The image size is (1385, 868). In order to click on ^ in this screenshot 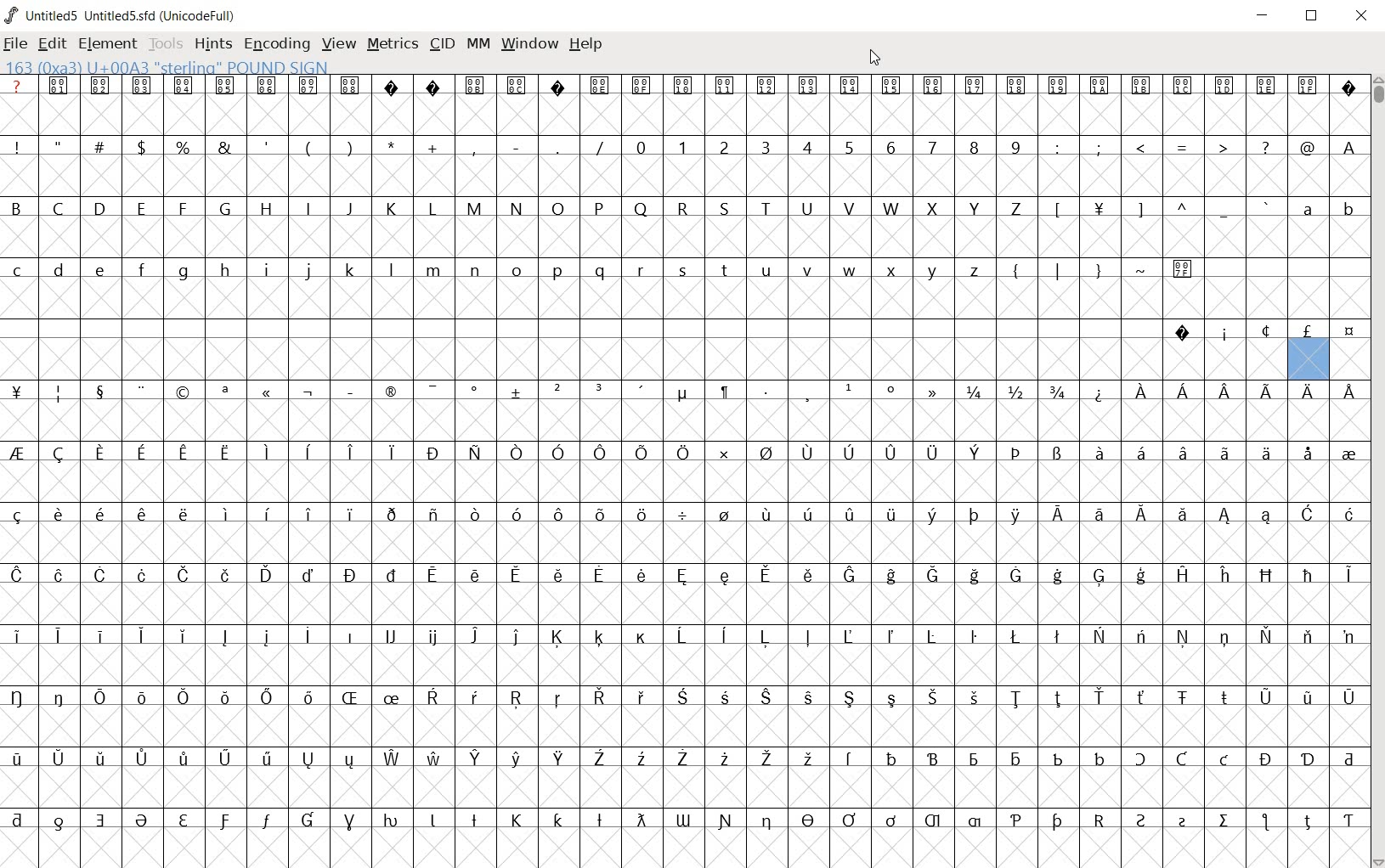, I will do `click(1181, 210)`.